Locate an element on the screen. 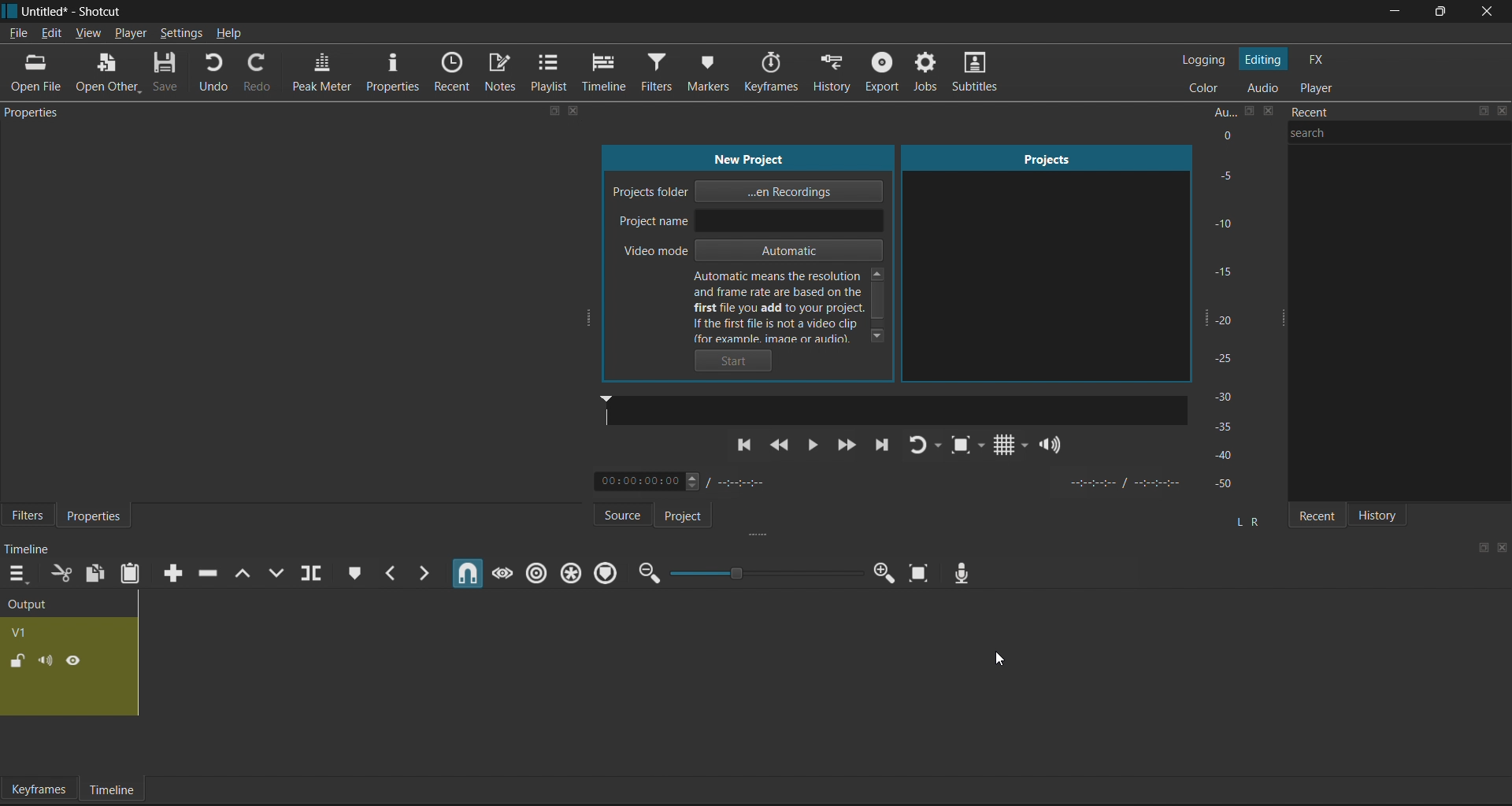  Logging is located at coordinates (1206, 61).